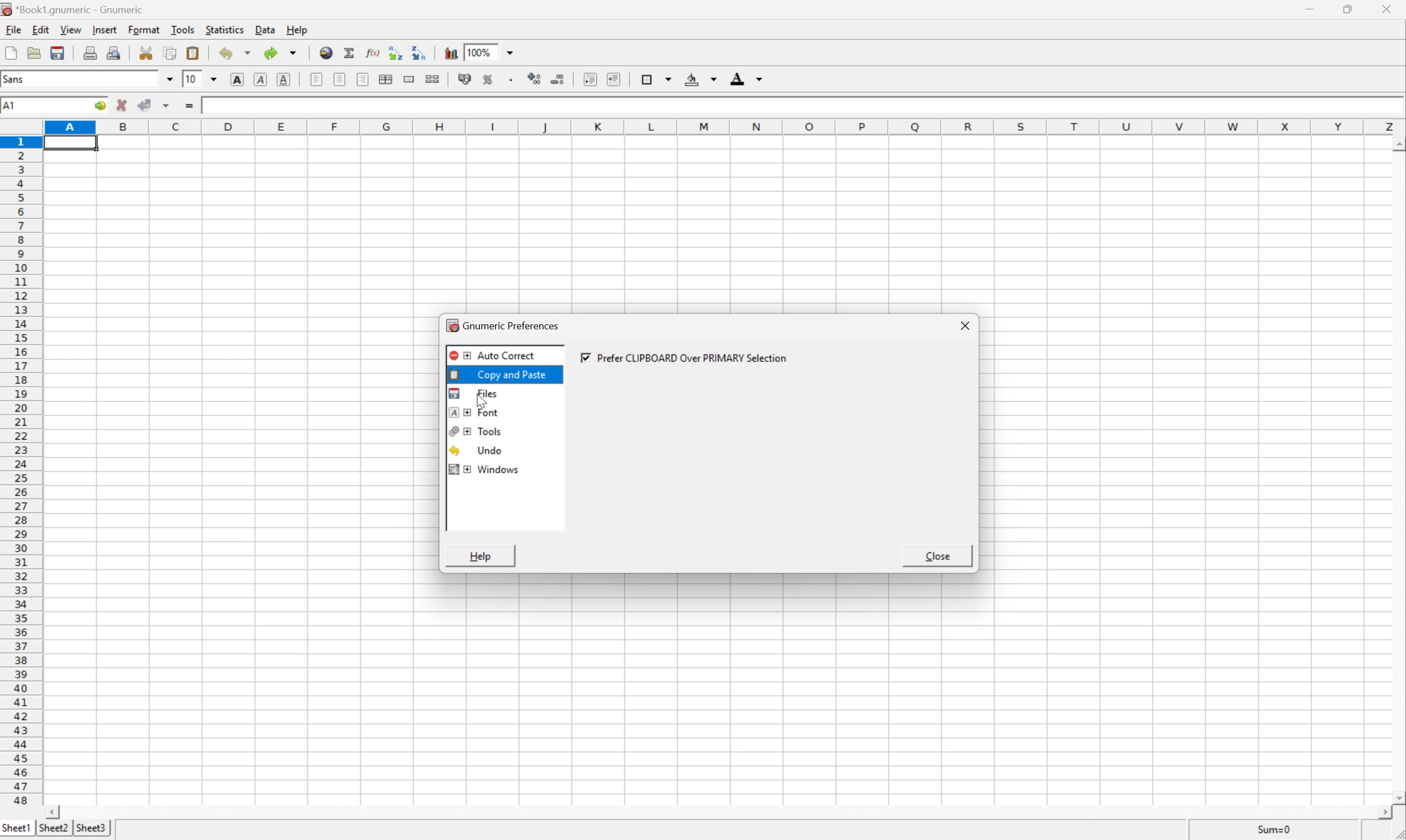 The width and height of the screenshot is (1406, 840). What do you see at coordinates (113, 52) in the screenshot?
I see `print preview` at bounding box center [113, 52].